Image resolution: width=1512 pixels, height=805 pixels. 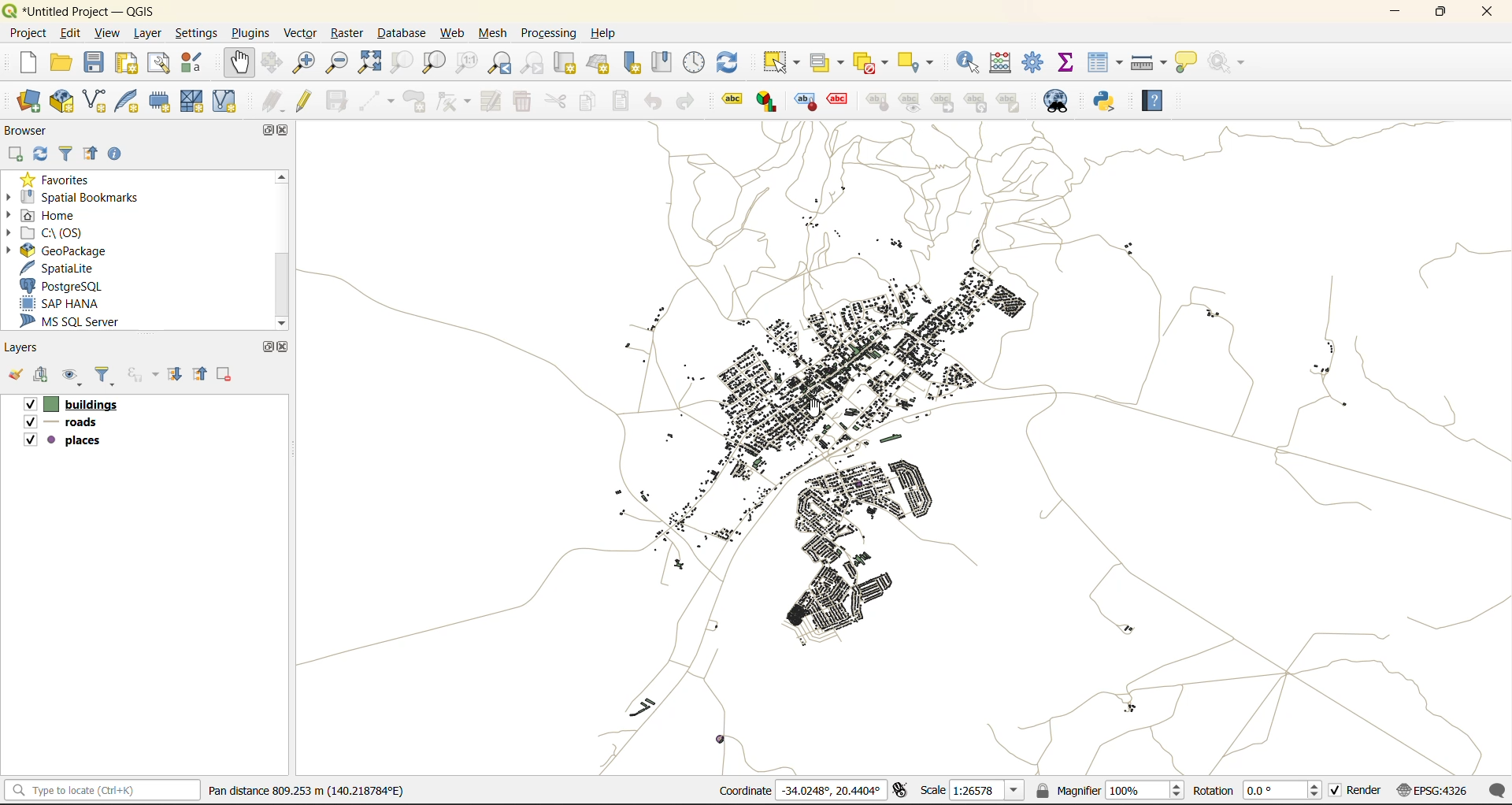 I want to click on filter, so click(x=70, y=153).